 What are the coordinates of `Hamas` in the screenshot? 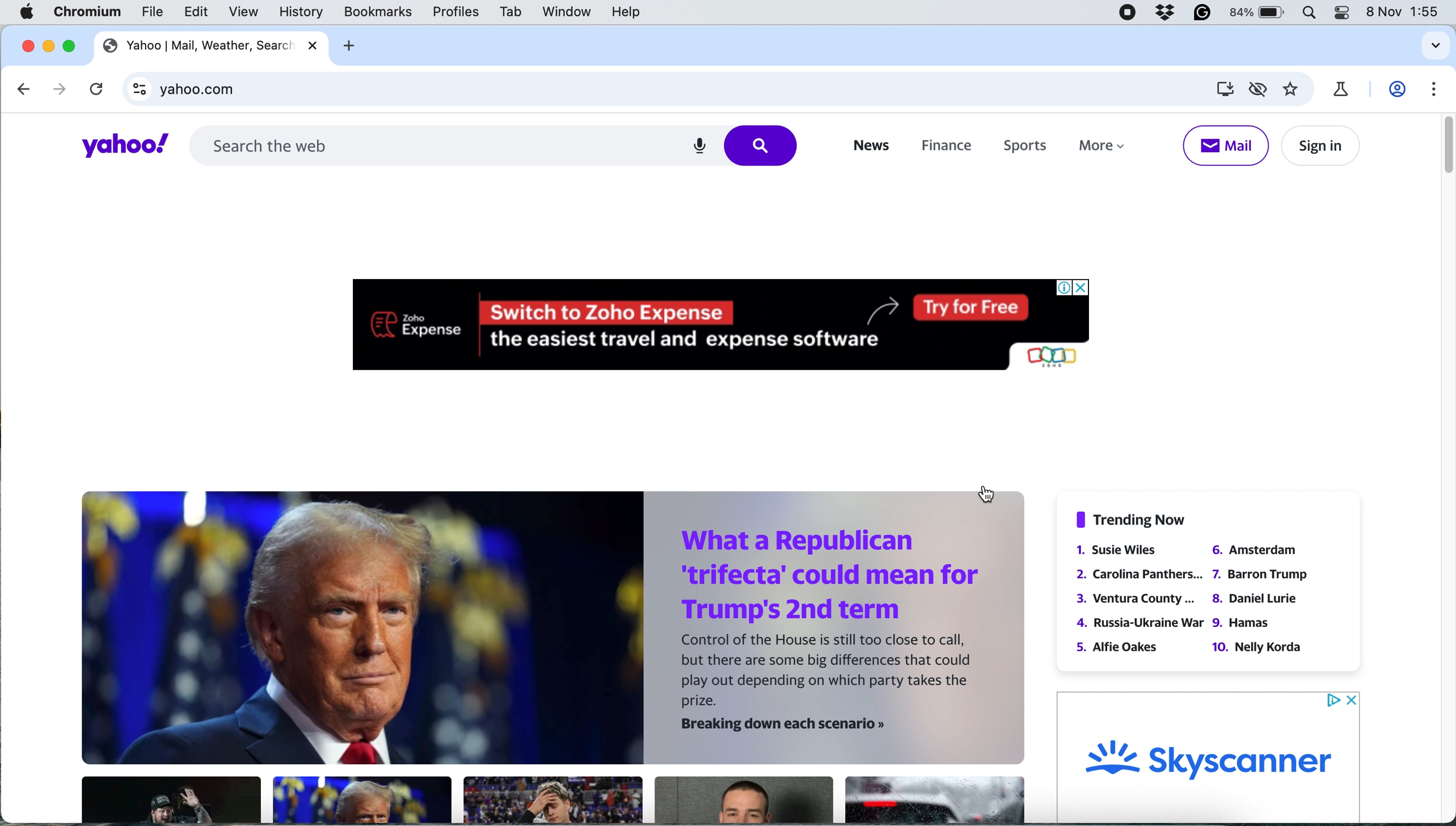 It's located at (1243, 624).